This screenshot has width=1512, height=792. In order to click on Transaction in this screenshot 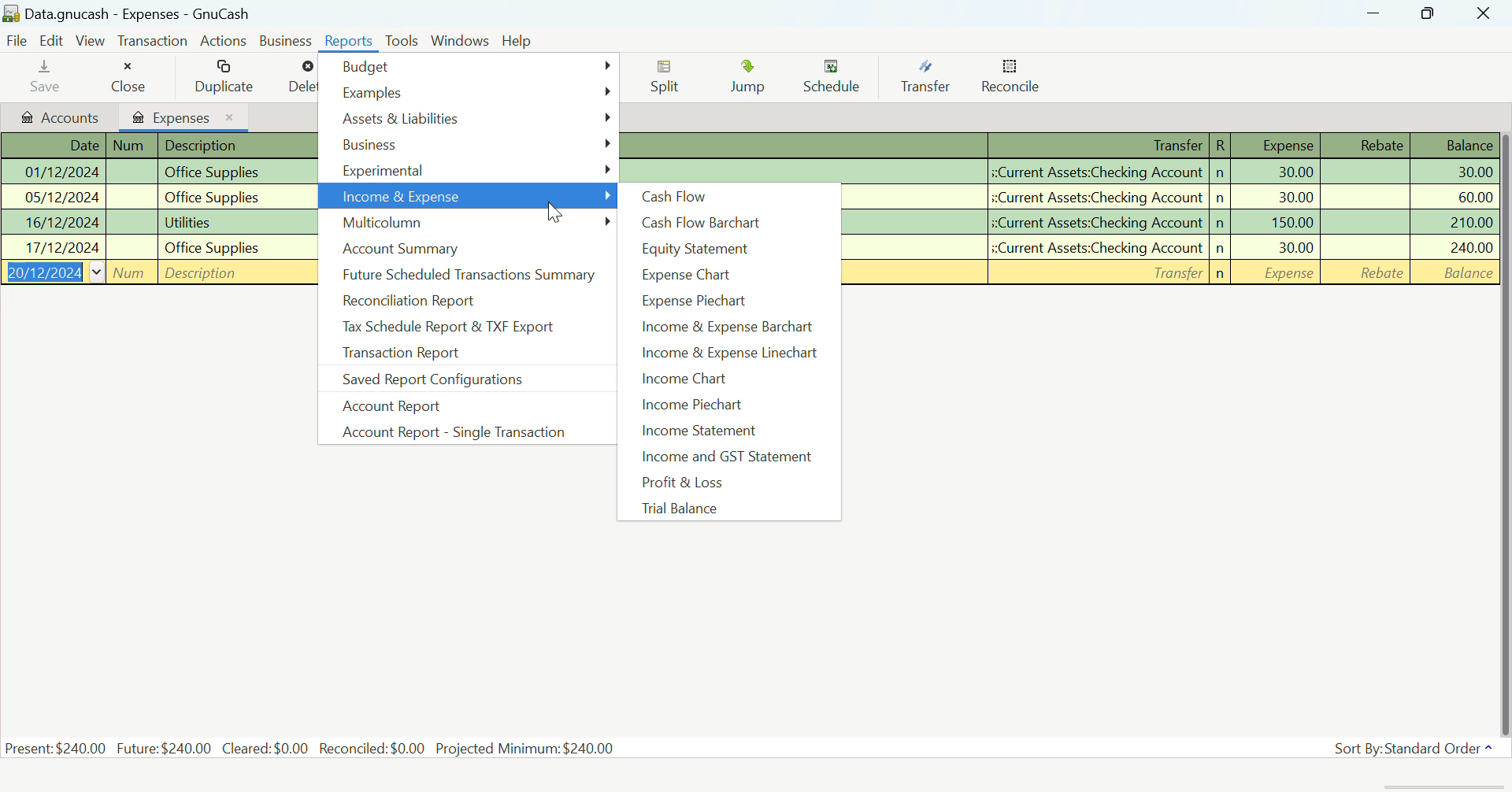, I will do `click(152, 41)`.